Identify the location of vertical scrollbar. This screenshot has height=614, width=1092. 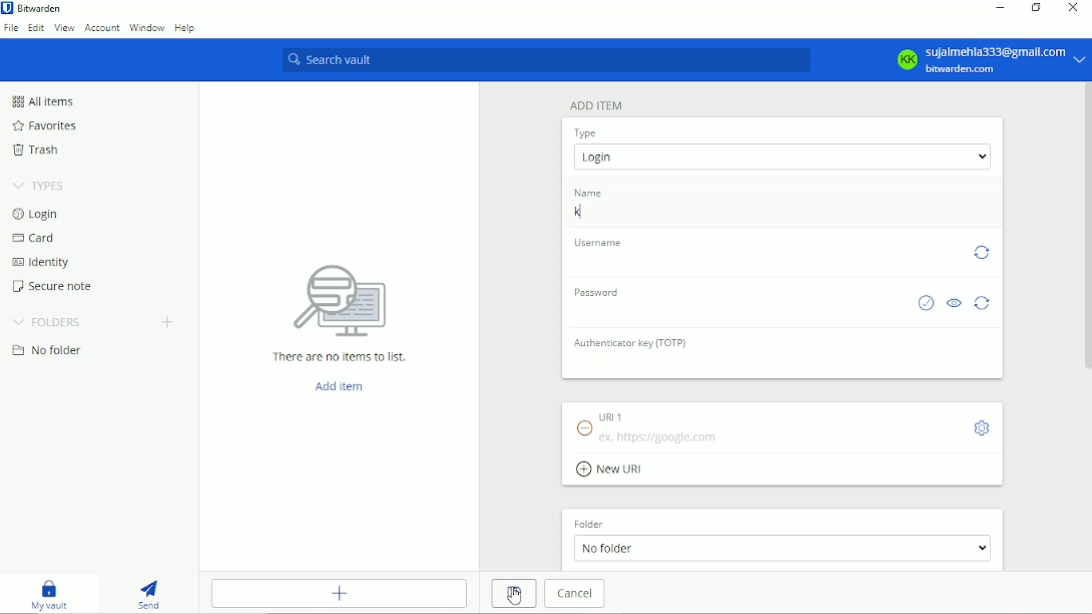
(1088, 228).